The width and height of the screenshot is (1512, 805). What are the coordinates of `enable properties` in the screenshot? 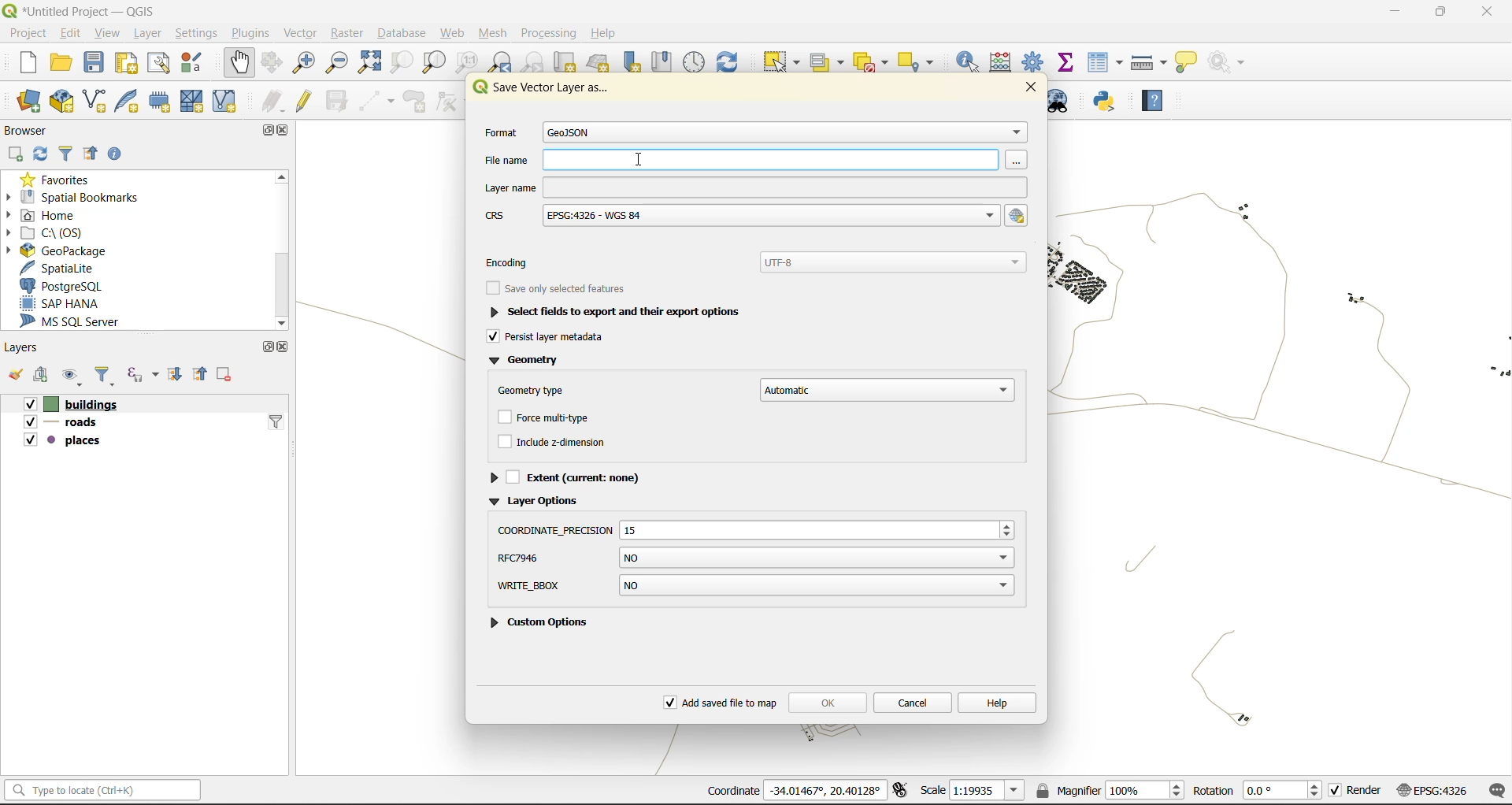 It's located at (119, 152).